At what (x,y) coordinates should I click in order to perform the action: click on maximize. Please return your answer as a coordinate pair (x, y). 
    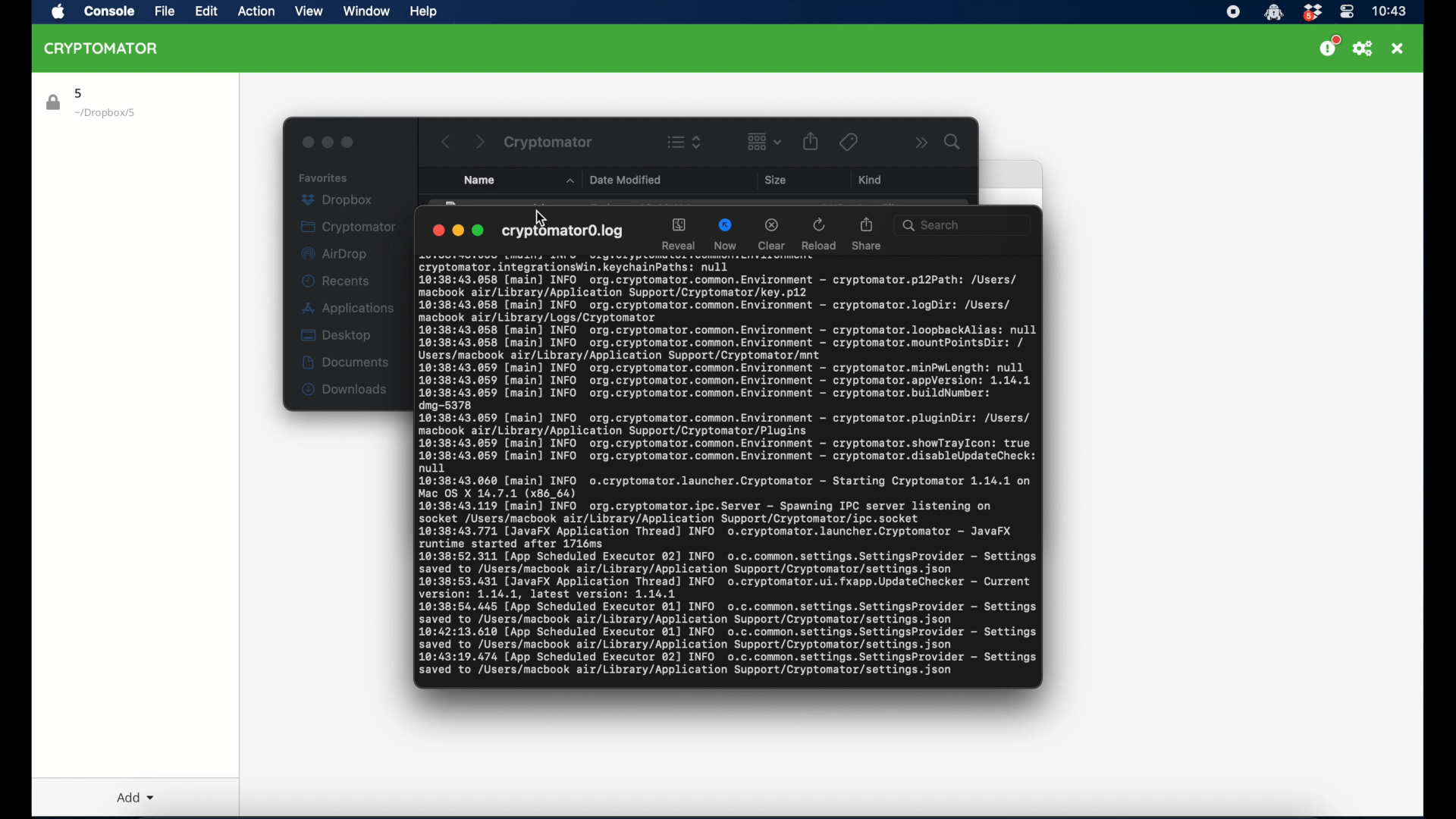
    Looking at the image, I should click on (479, 231).